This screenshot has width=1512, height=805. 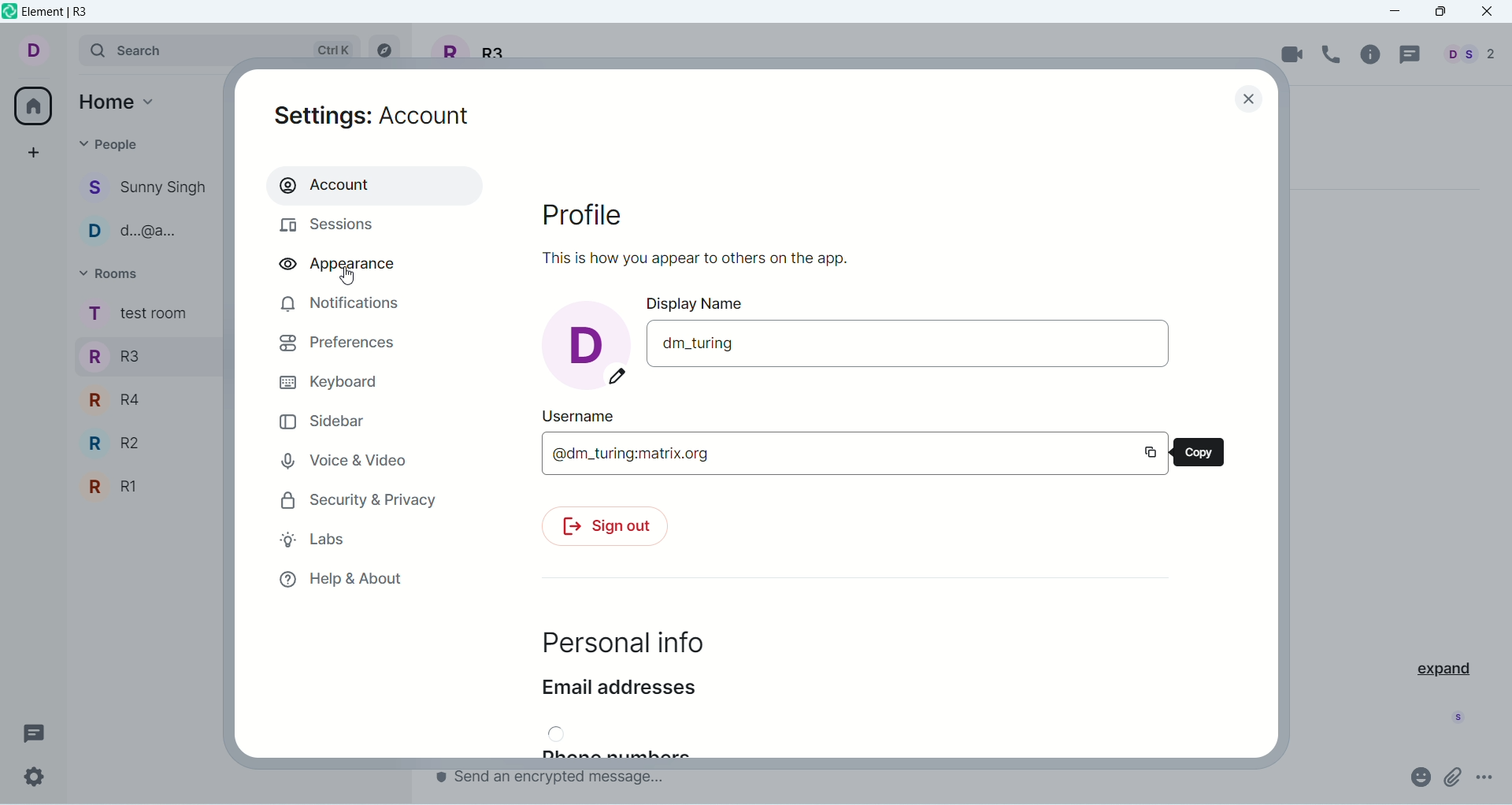 What do you see at coordinates (1419, 776) in the screenshot?
I see `emoji` at bounding box center [1419, 776].